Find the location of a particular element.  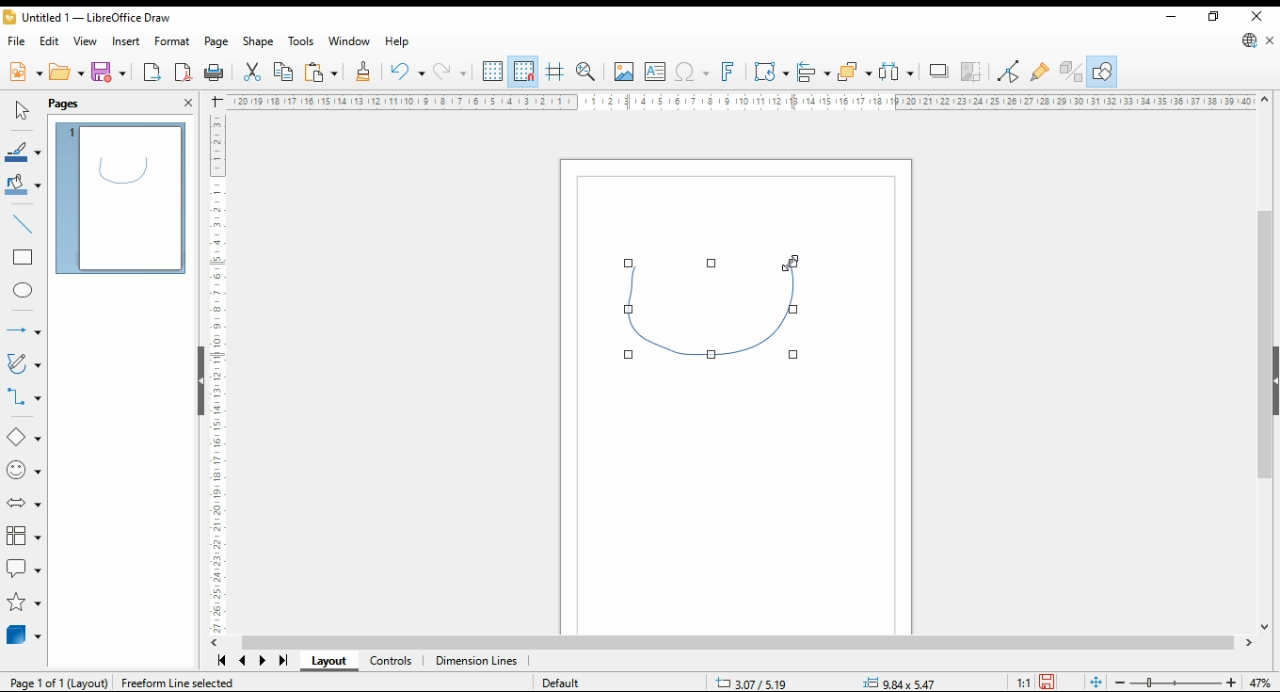

align objects is located at coordinates (814, 72).